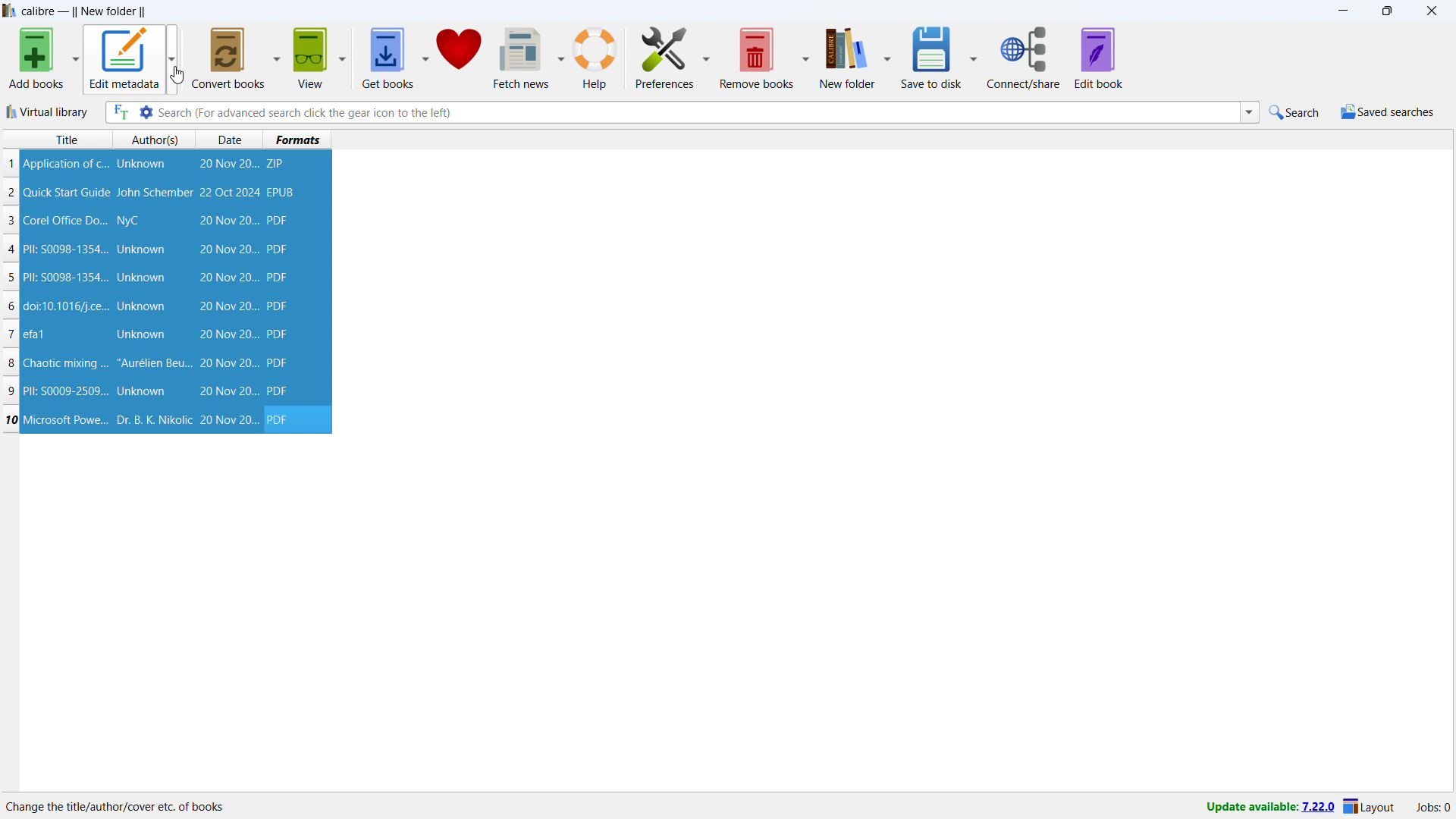 This screenshot has height=819, width=1456. I want to click on Unknown, so click(141, 249).